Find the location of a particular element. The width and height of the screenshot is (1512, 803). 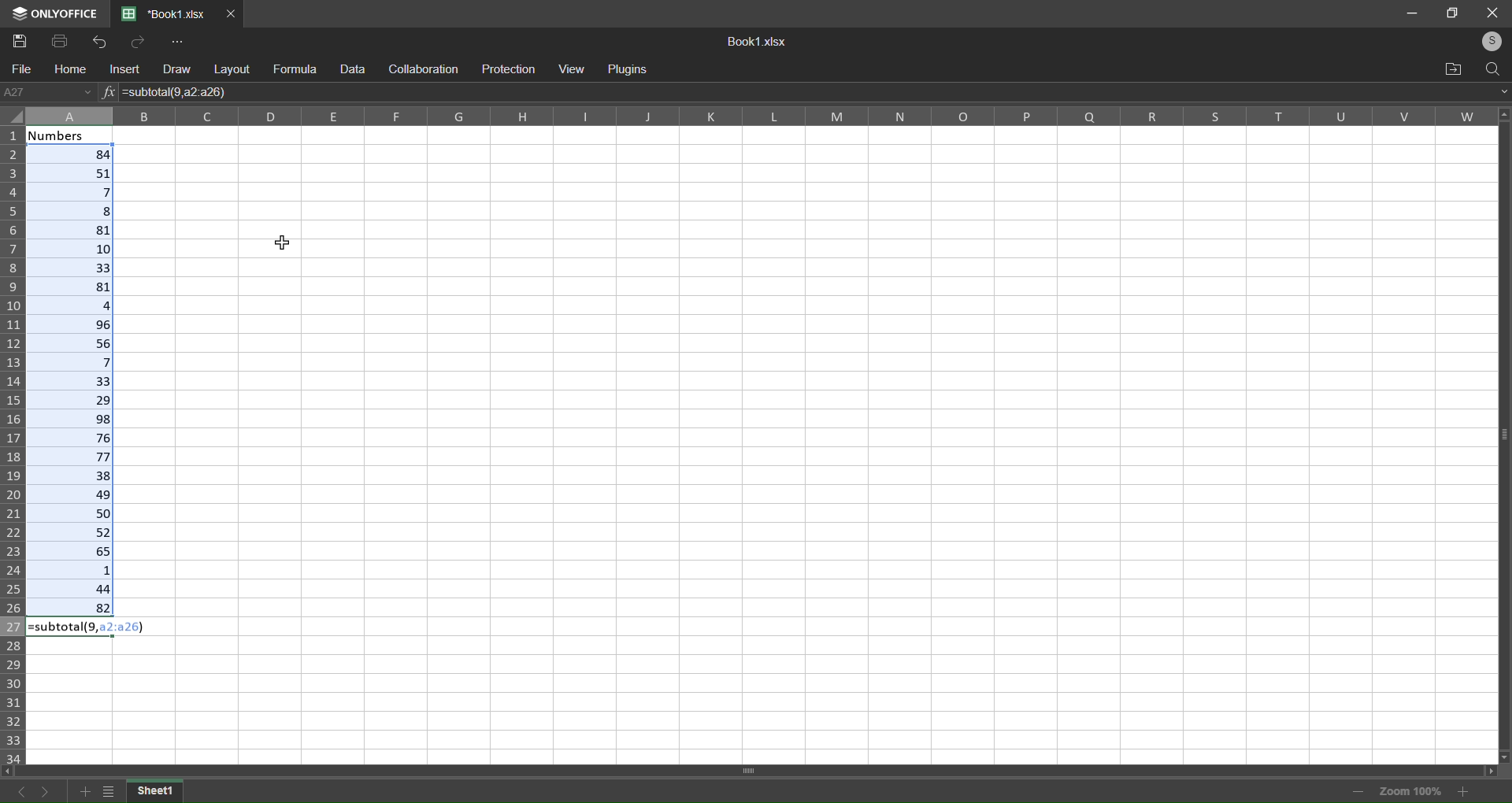

current sheet is located at coordinates (159, 791).